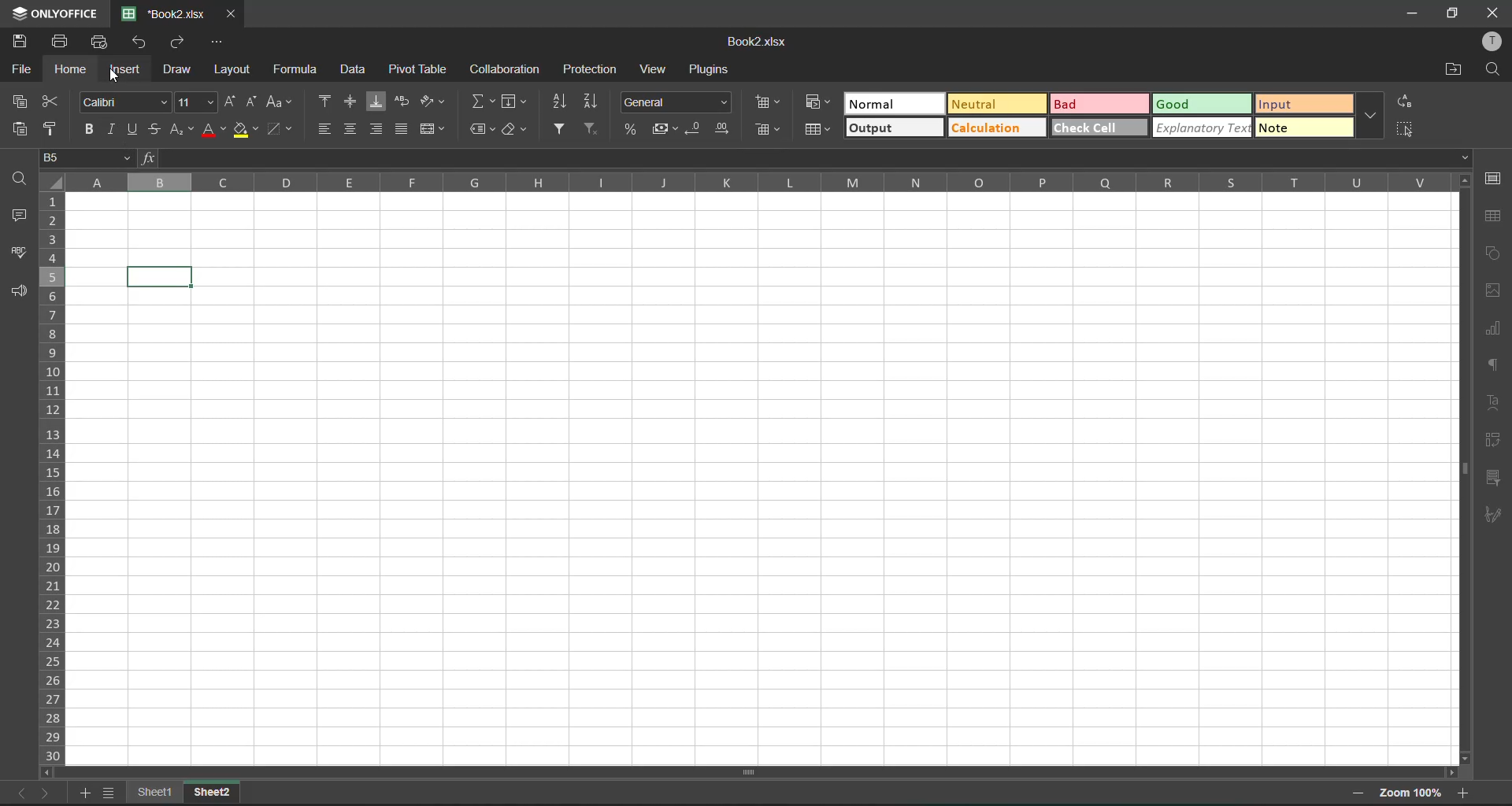 This screenshot has height=806, width=1512. I want to click on profile, so click(1493, 40).